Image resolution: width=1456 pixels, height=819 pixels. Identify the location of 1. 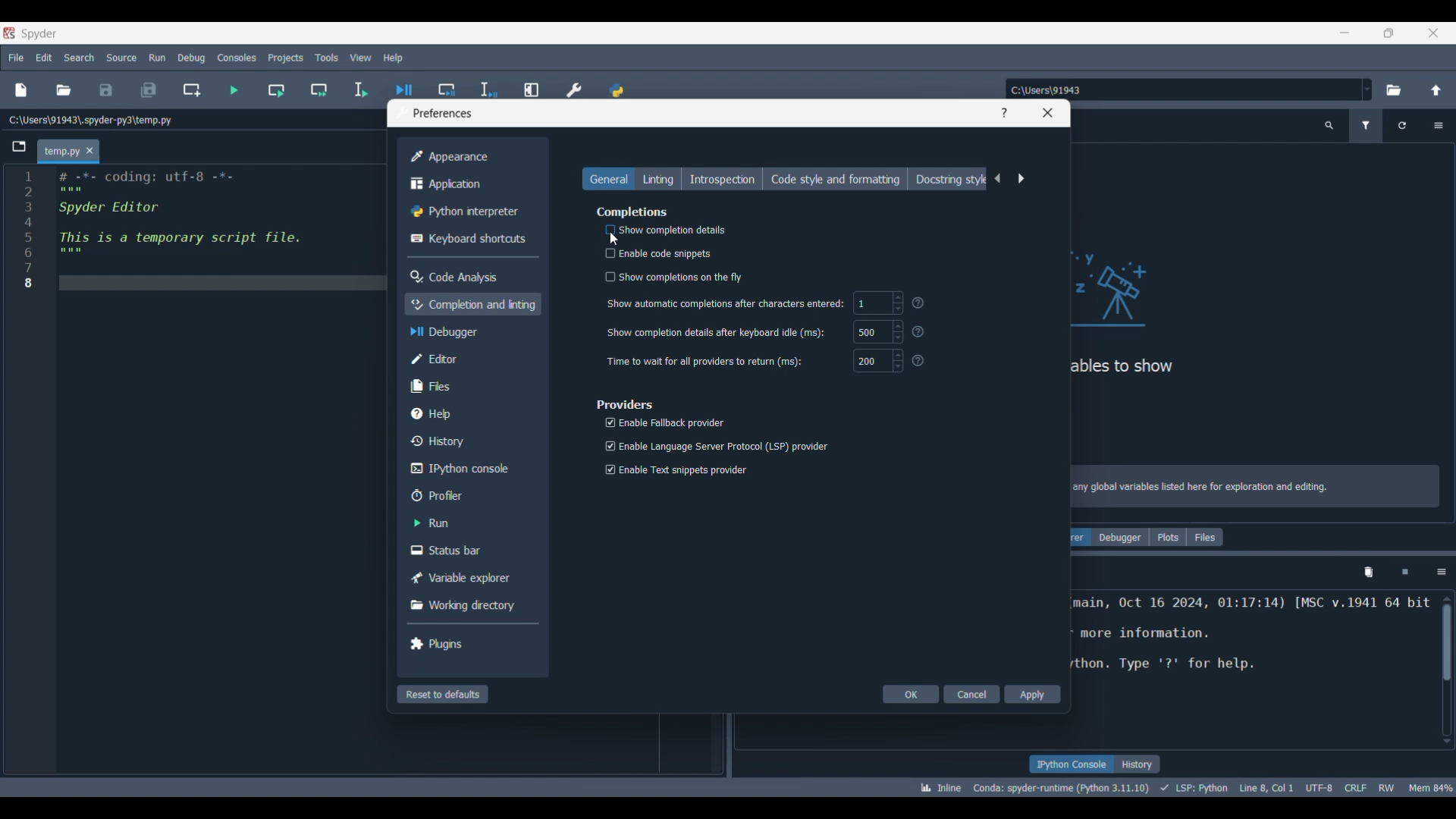
(878, 303).